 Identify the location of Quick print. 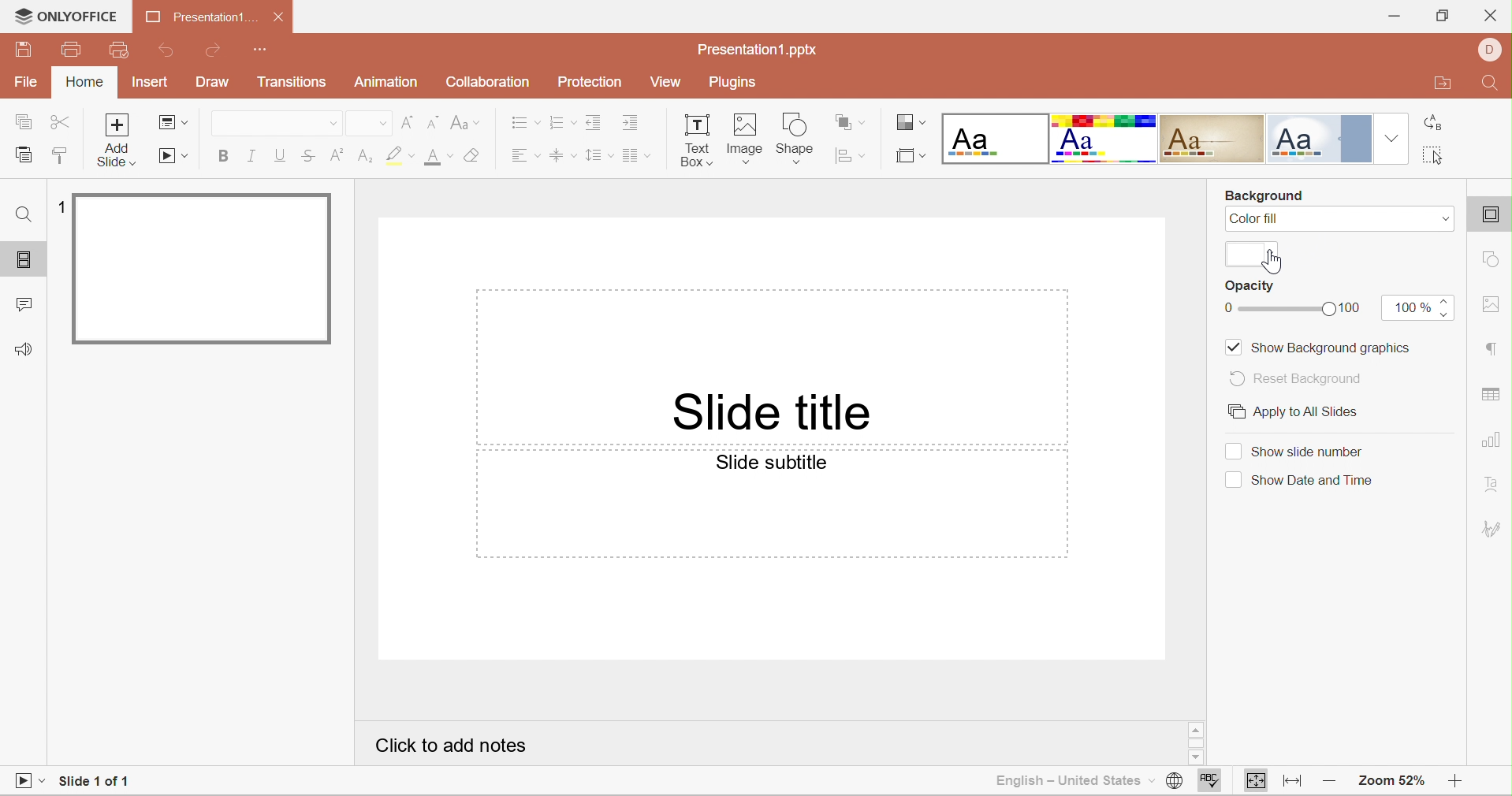
(117, 50).